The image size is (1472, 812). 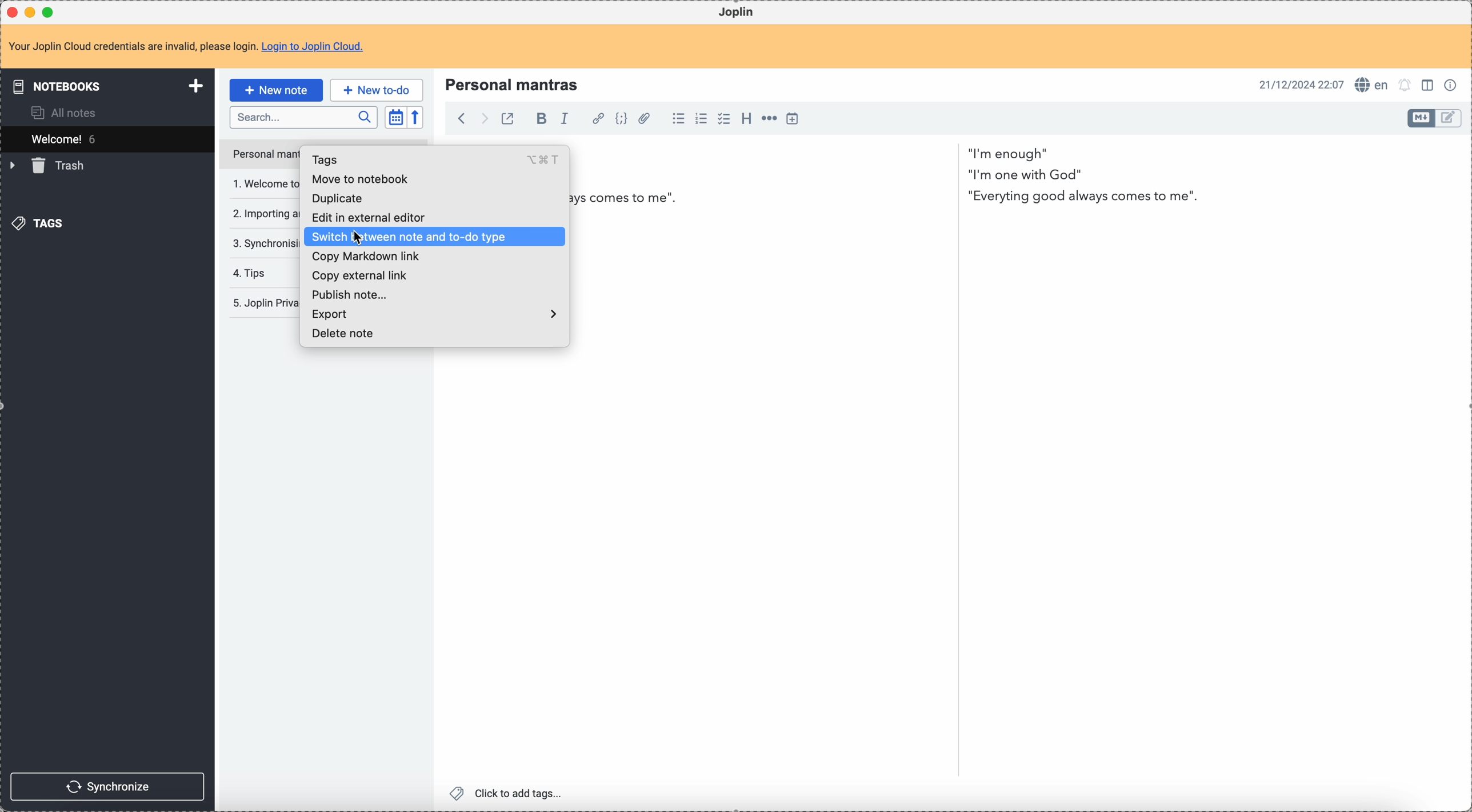 What do you see at coordinates (434, 160) in the screenshot?
I see `tags` at bounding box center [434, 160].